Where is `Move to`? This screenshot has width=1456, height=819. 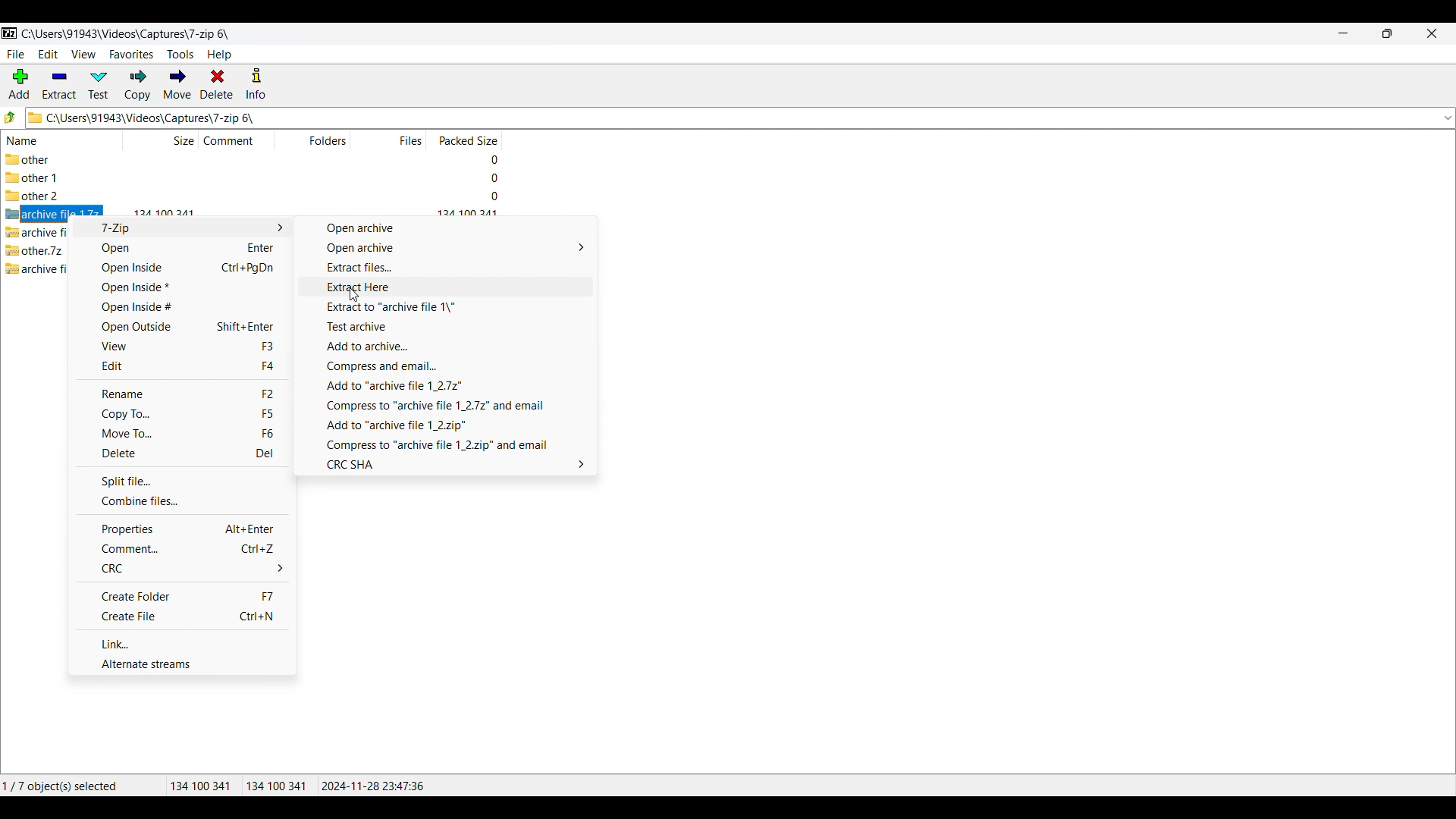 Move to is located at coordinates (180, 434).